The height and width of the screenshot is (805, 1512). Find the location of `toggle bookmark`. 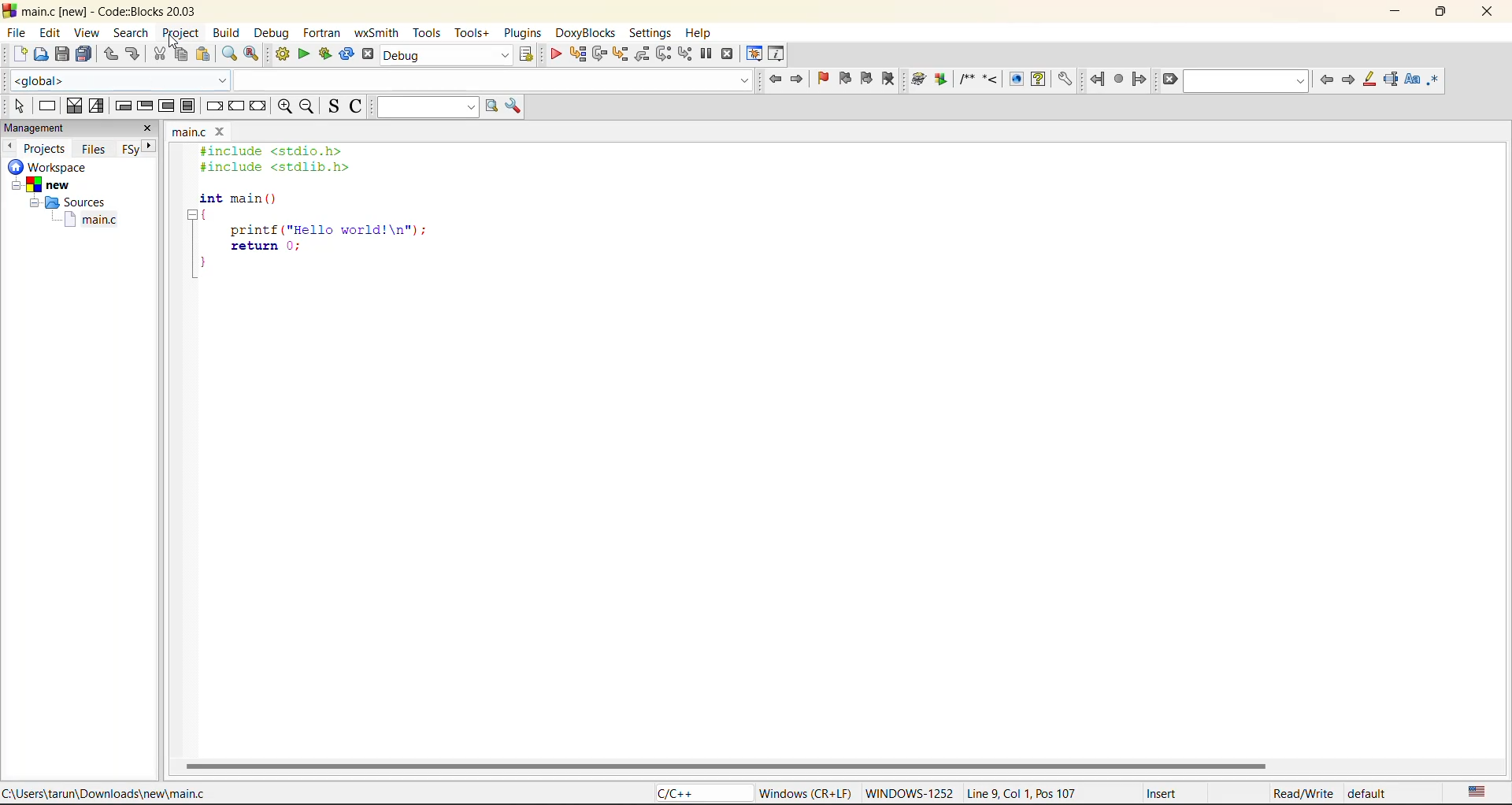

toggle bookmark is located at coordinates (825, 78).